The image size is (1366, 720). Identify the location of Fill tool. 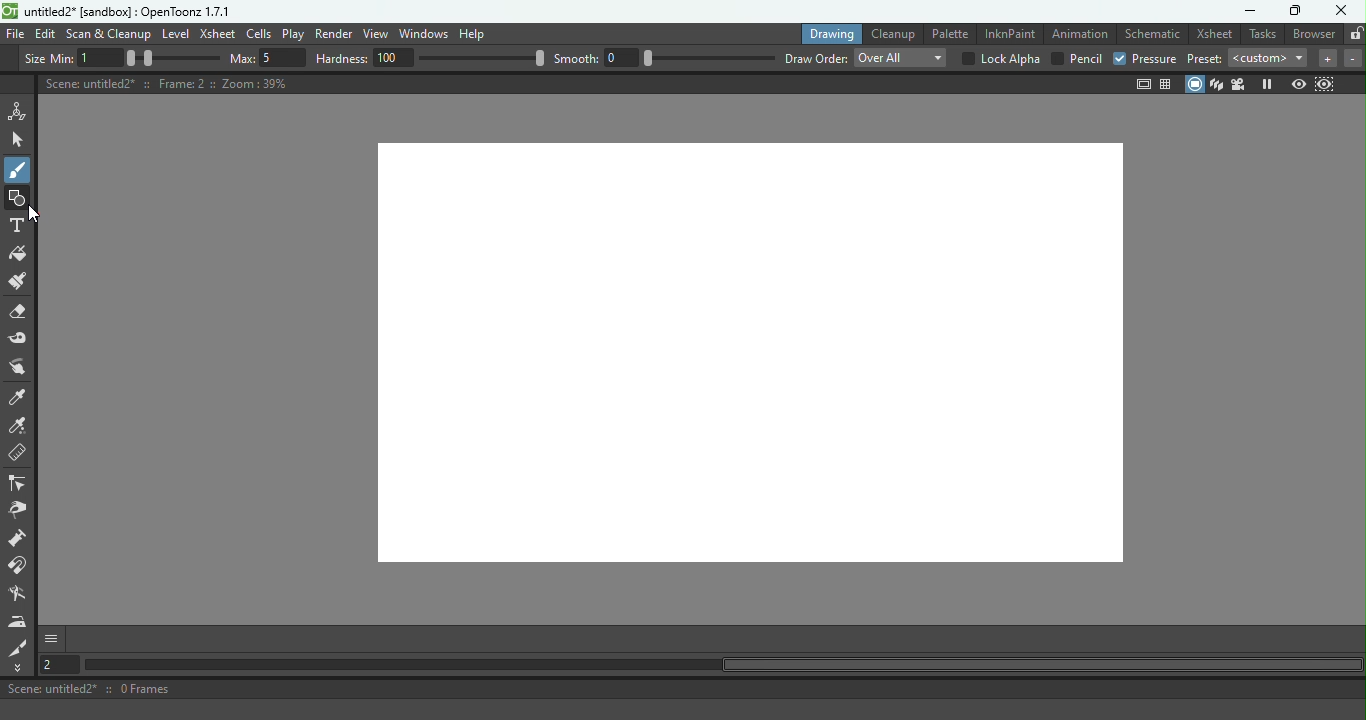
(22, 254).